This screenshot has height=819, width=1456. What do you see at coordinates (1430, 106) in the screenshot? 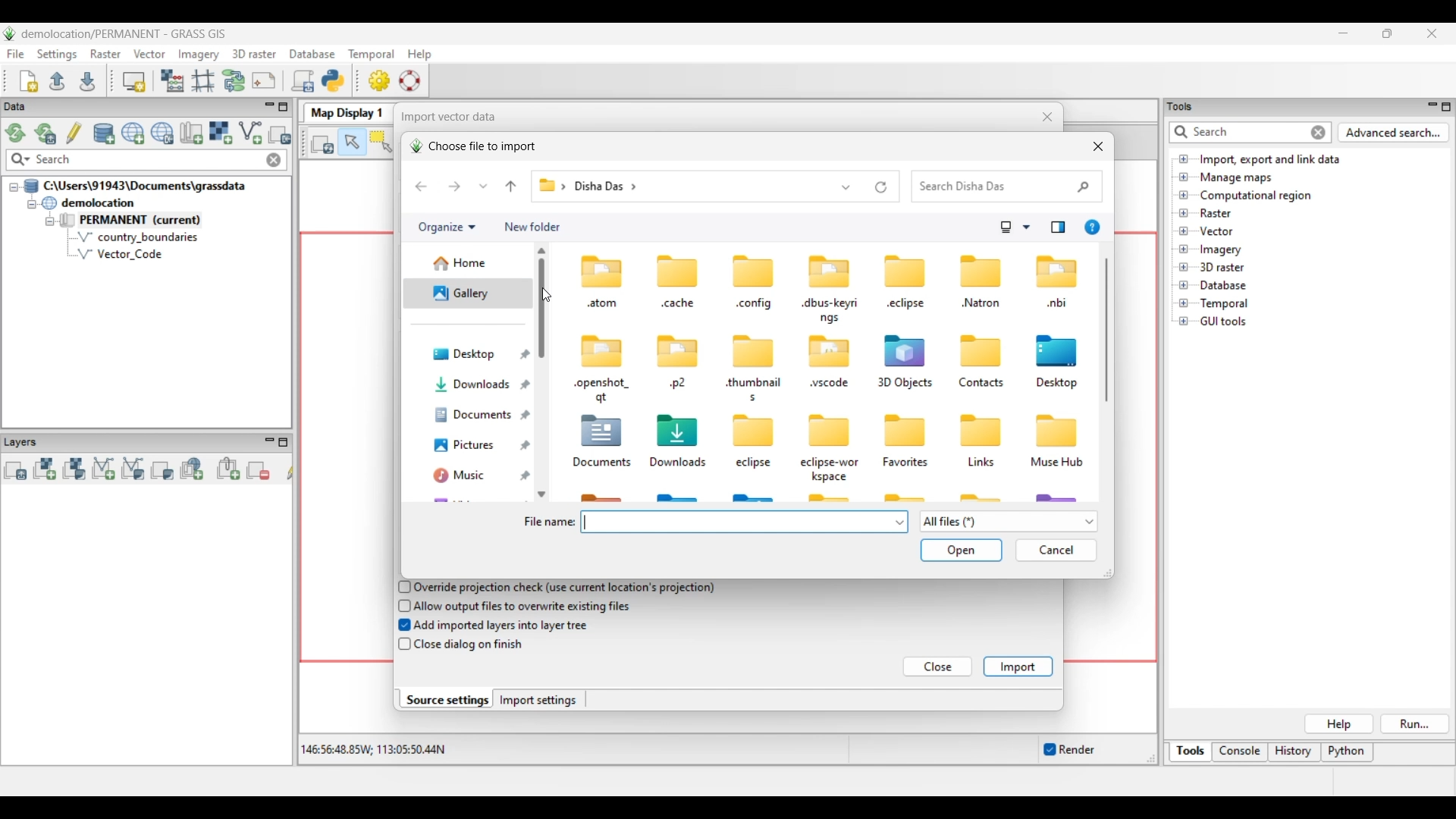
I see `Minimize Tools panel` at bounding box center [1430, 106].